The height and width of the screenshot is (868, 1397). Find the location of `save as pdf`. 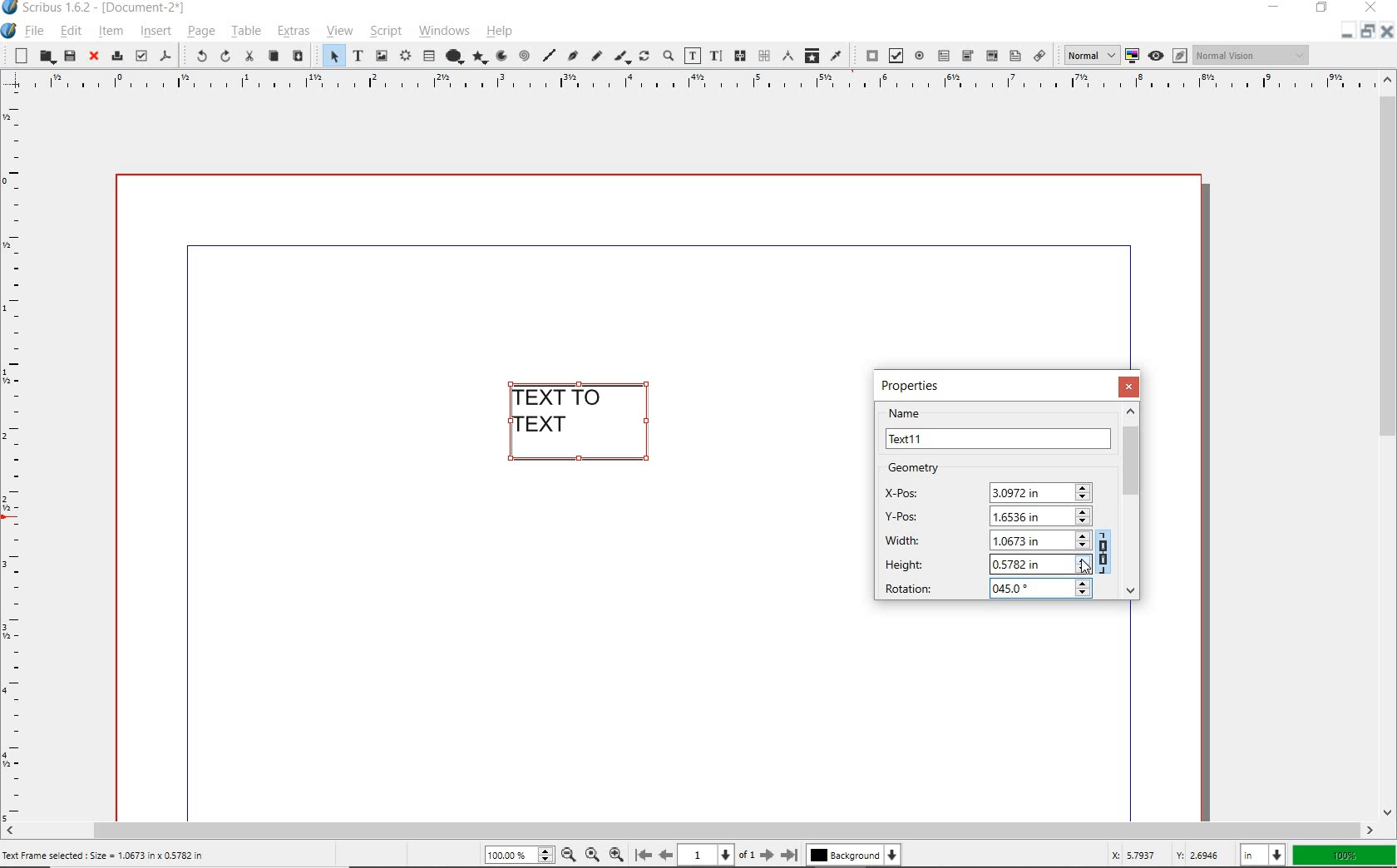

save as pdf is located at coordinates (165, 57).